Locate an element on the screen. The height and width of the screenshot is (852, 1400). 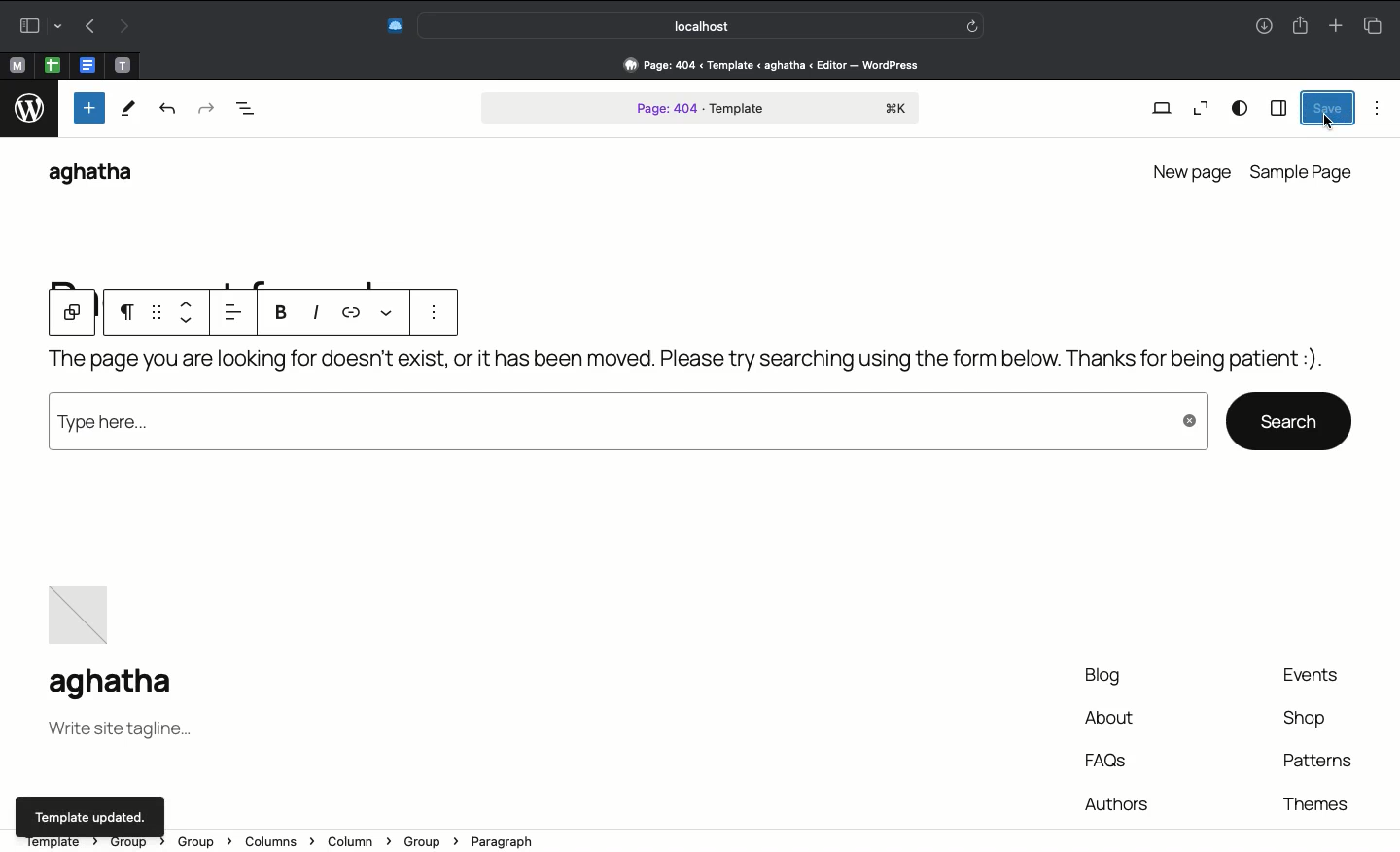
Undo is located at coordinates (169, 112).